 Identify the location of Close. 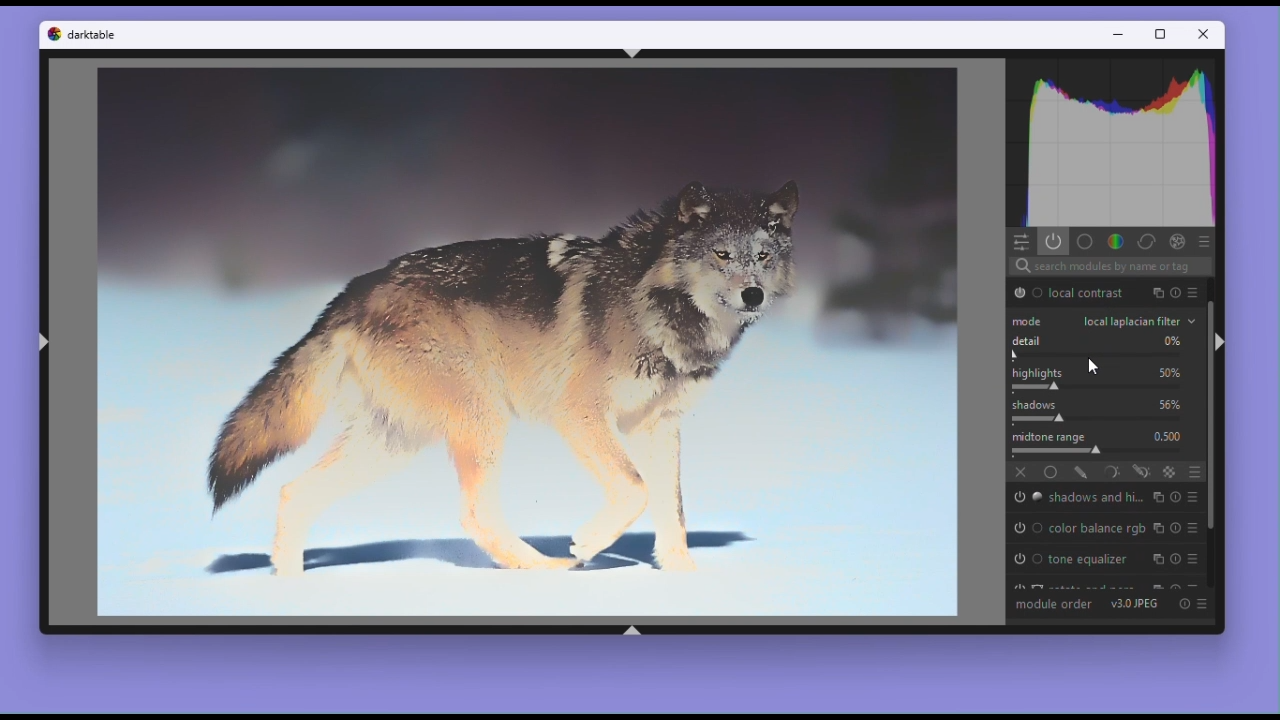
(1204, 35).